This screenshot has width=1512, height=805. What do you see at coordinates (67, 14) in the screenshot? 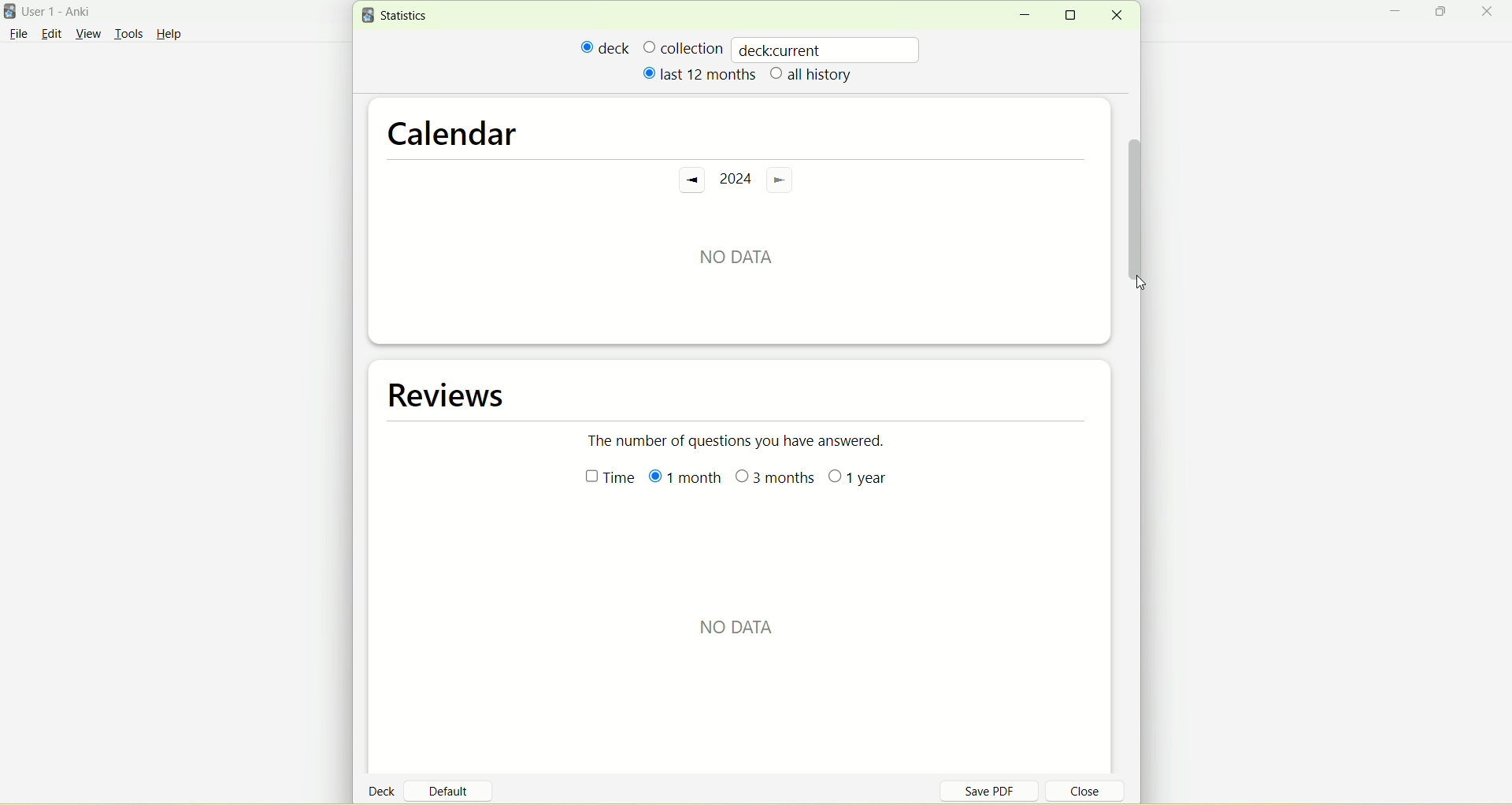
I see `User 1- Anki` at bounding box center [67, 14].